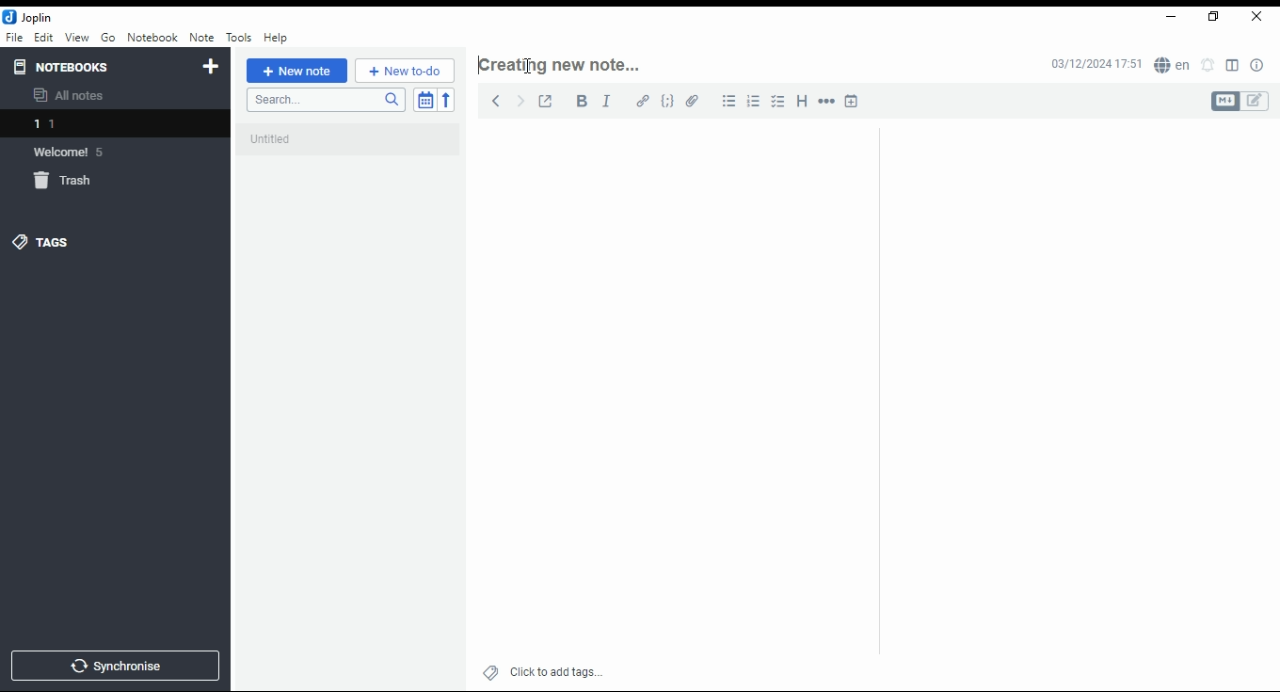  I want to click on bullet list, so click(730, 101).